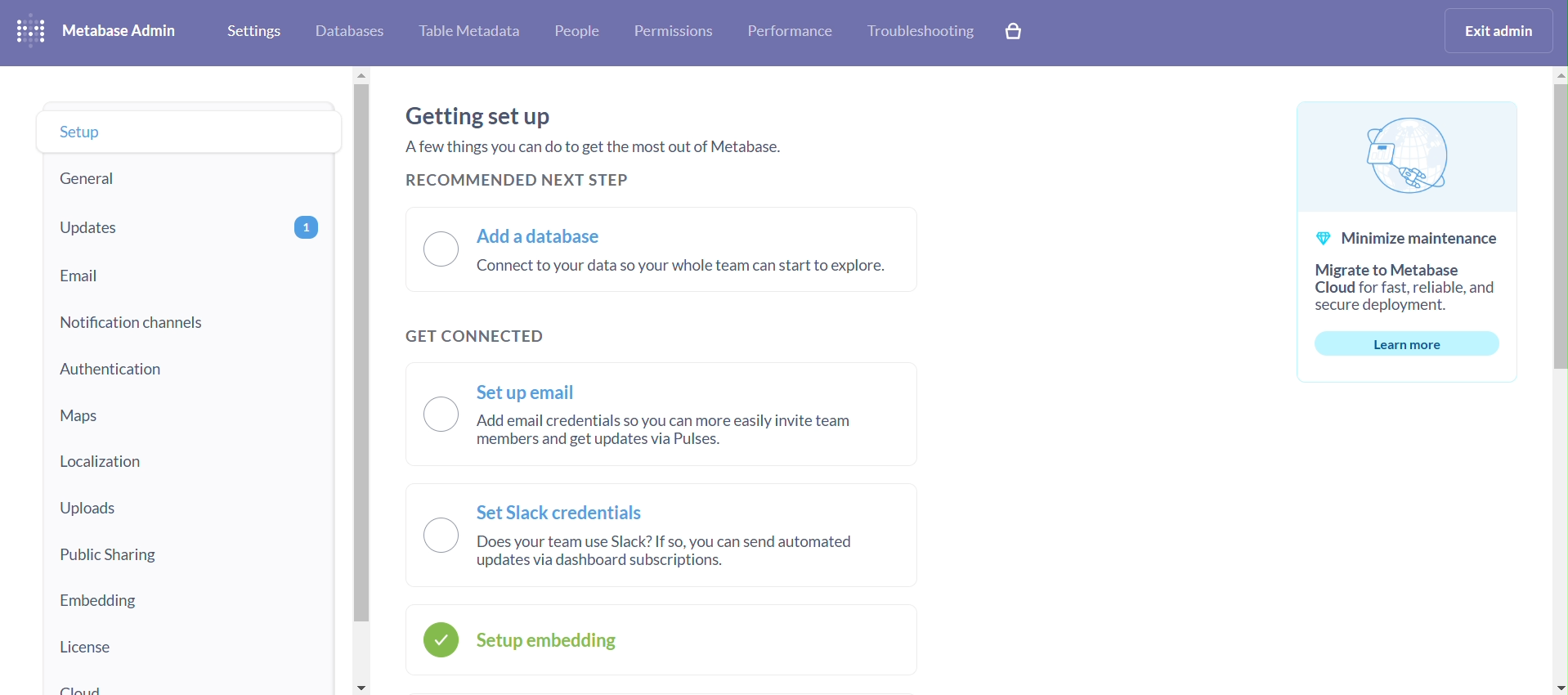  What do you see at coordinates (188, 368) in the screenshot?
I see `authentication` at bounding box center [188, 368].